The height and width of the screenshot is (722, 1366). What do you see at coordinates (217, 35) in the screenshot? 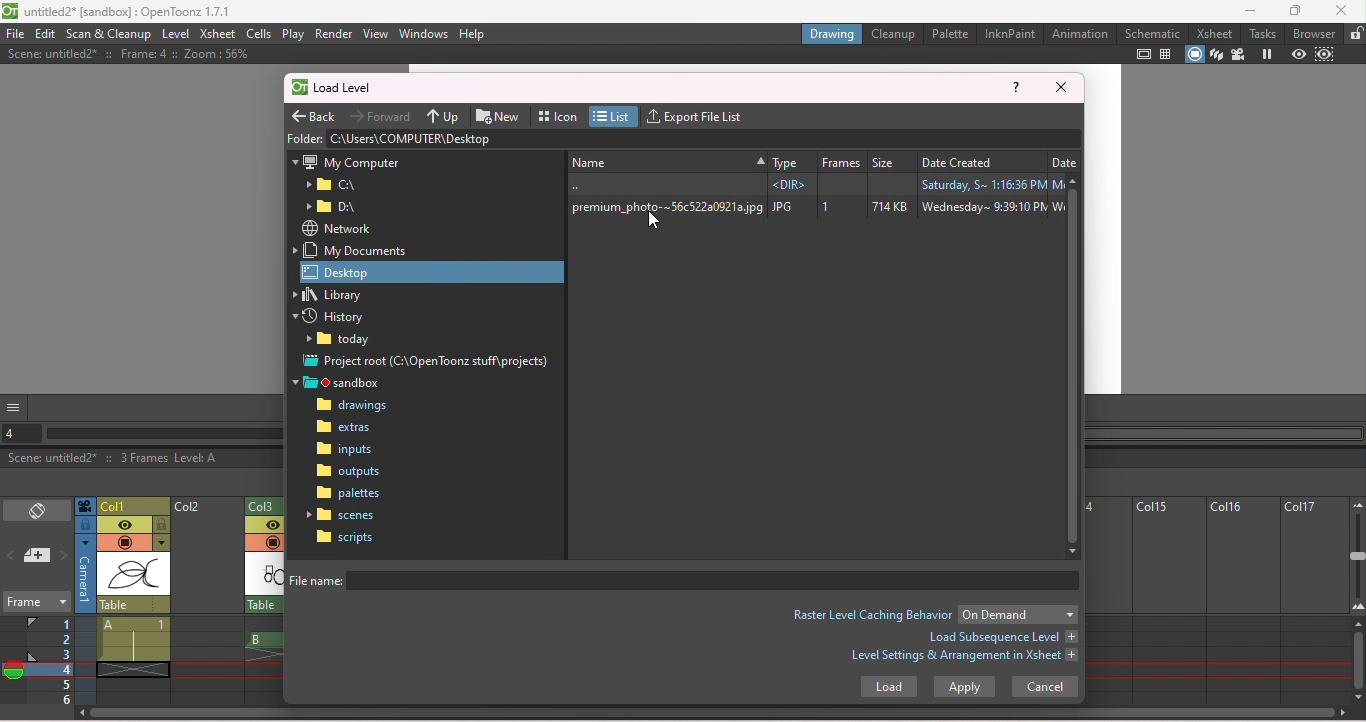
I see `Xsheet` at bounding box center [217, 35].